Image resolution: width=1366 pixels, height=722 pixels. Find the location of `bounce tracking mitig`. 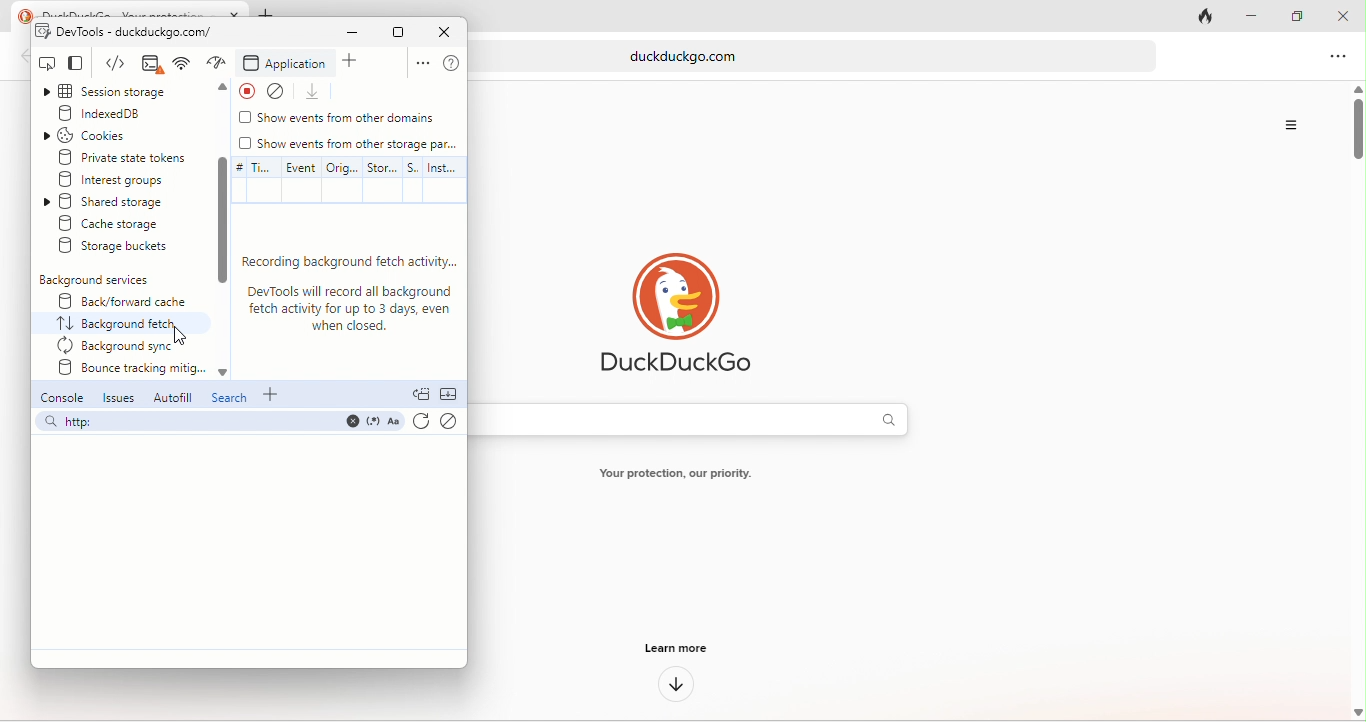

bounce tracking mitig is located at coordinates (128, 371).